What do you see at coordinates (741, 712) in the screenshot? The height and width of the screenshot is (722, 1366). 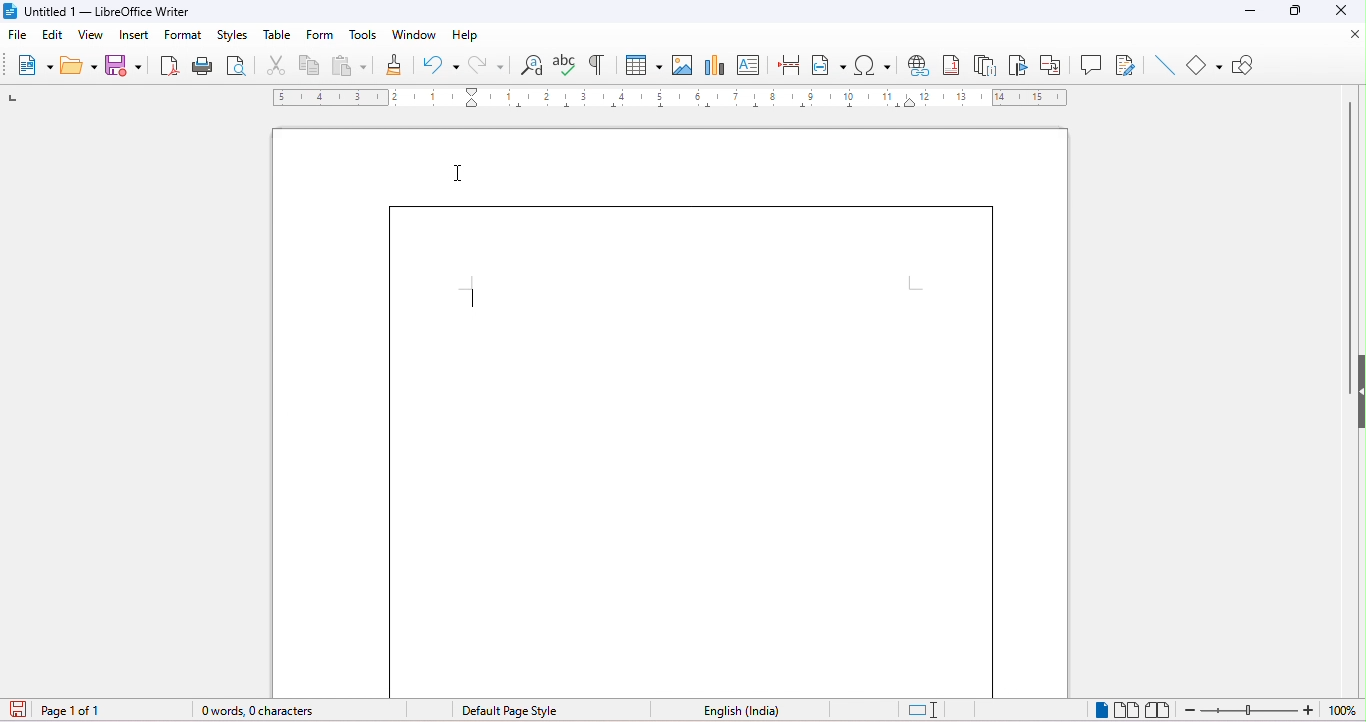 I see `text language` at bounding box center [741, 712].